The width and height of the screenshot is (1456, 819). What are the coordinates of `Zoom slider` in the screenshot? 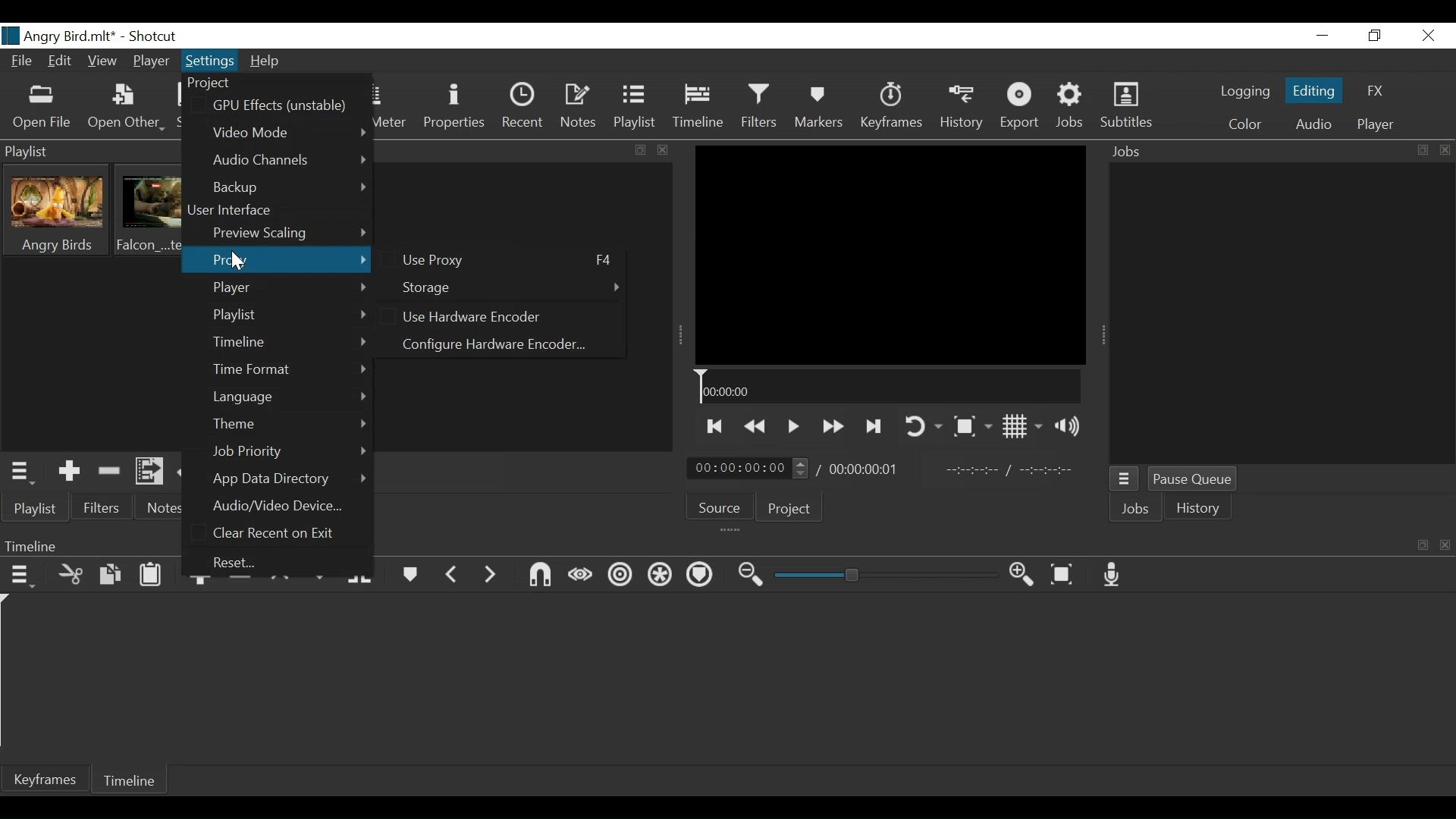 It's located at (879, 576).